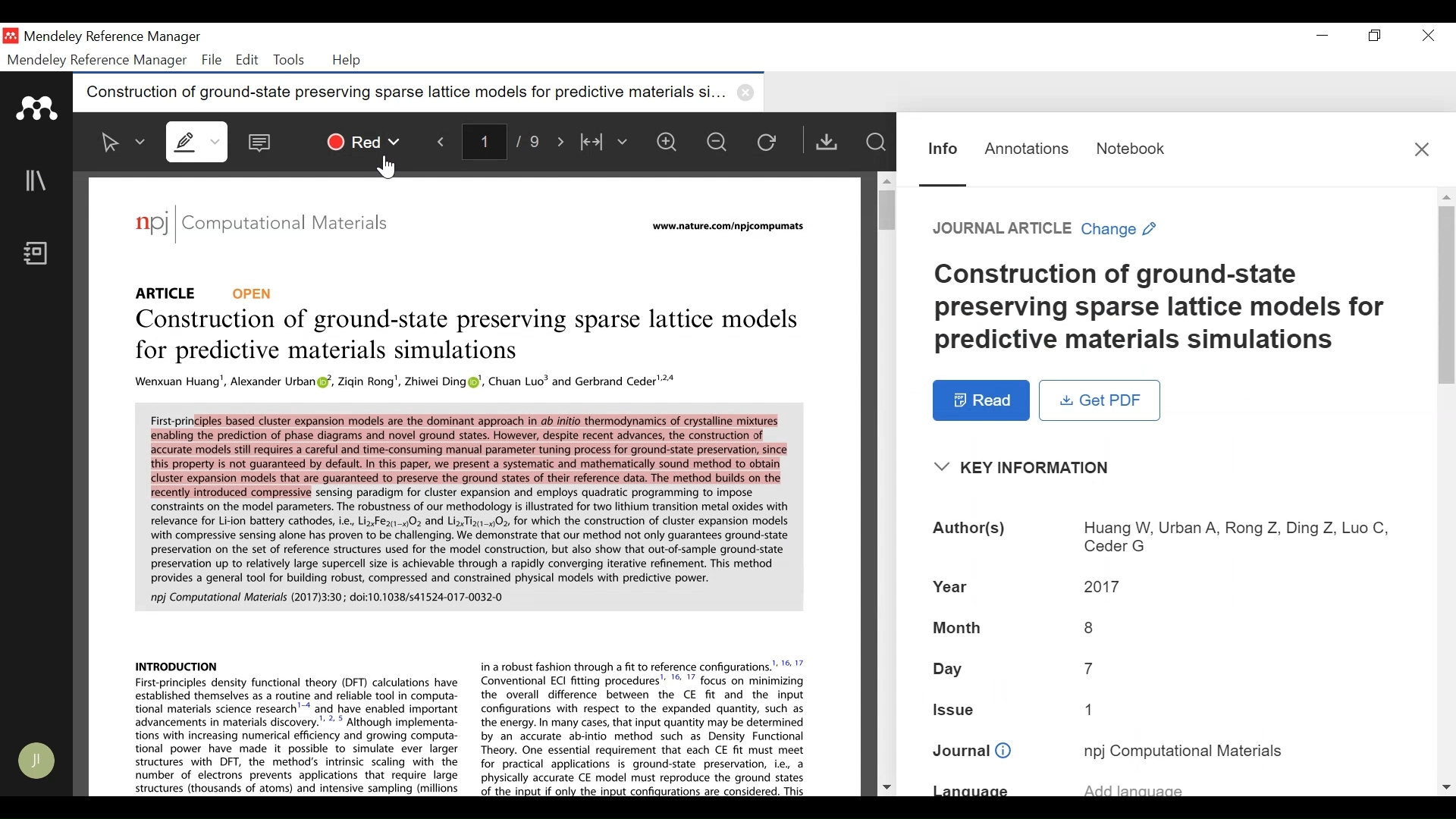 This screenshot has height=819, width=1456. I want to click on close, so click(746, 93).